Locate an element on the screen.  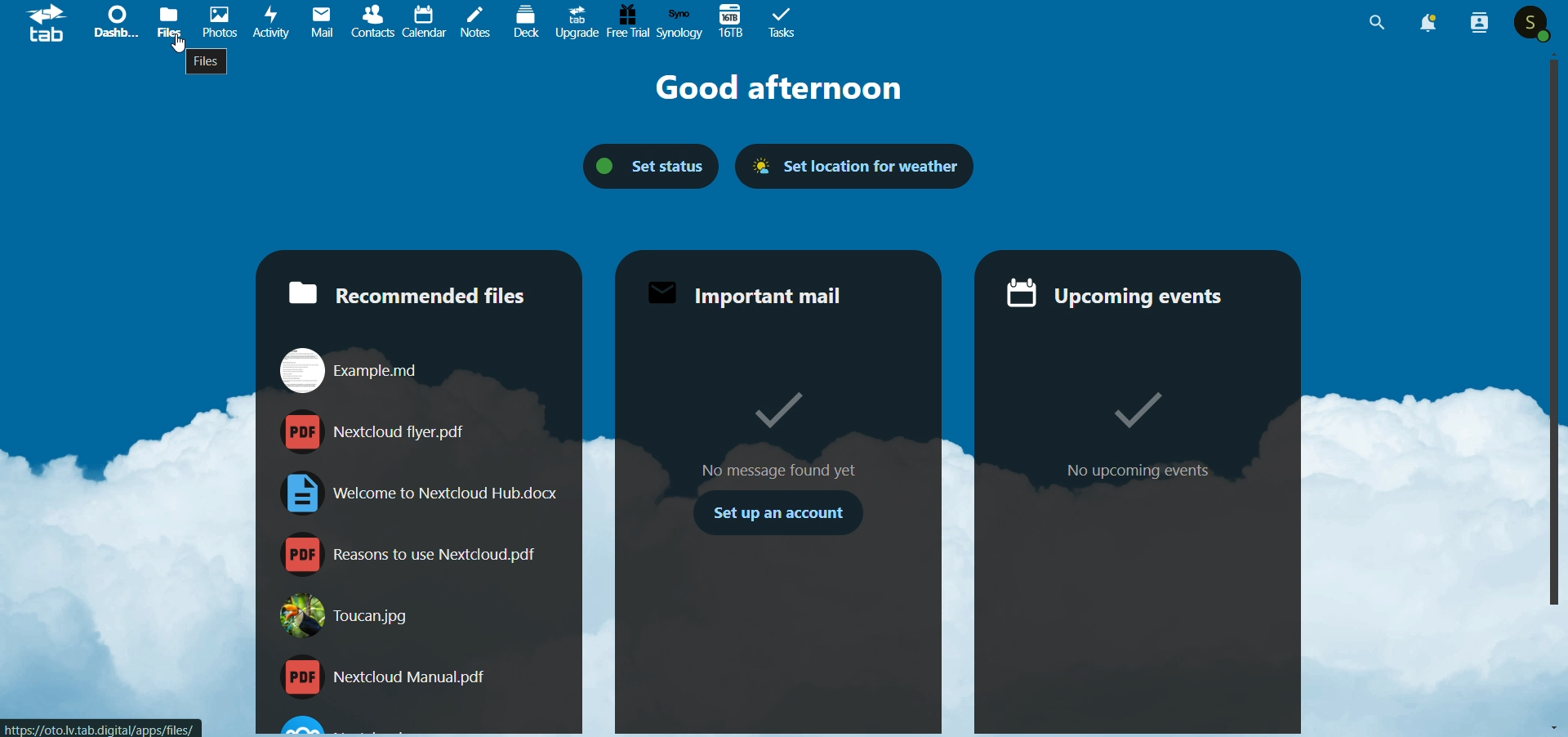
link is located at coordinates (108, 726).